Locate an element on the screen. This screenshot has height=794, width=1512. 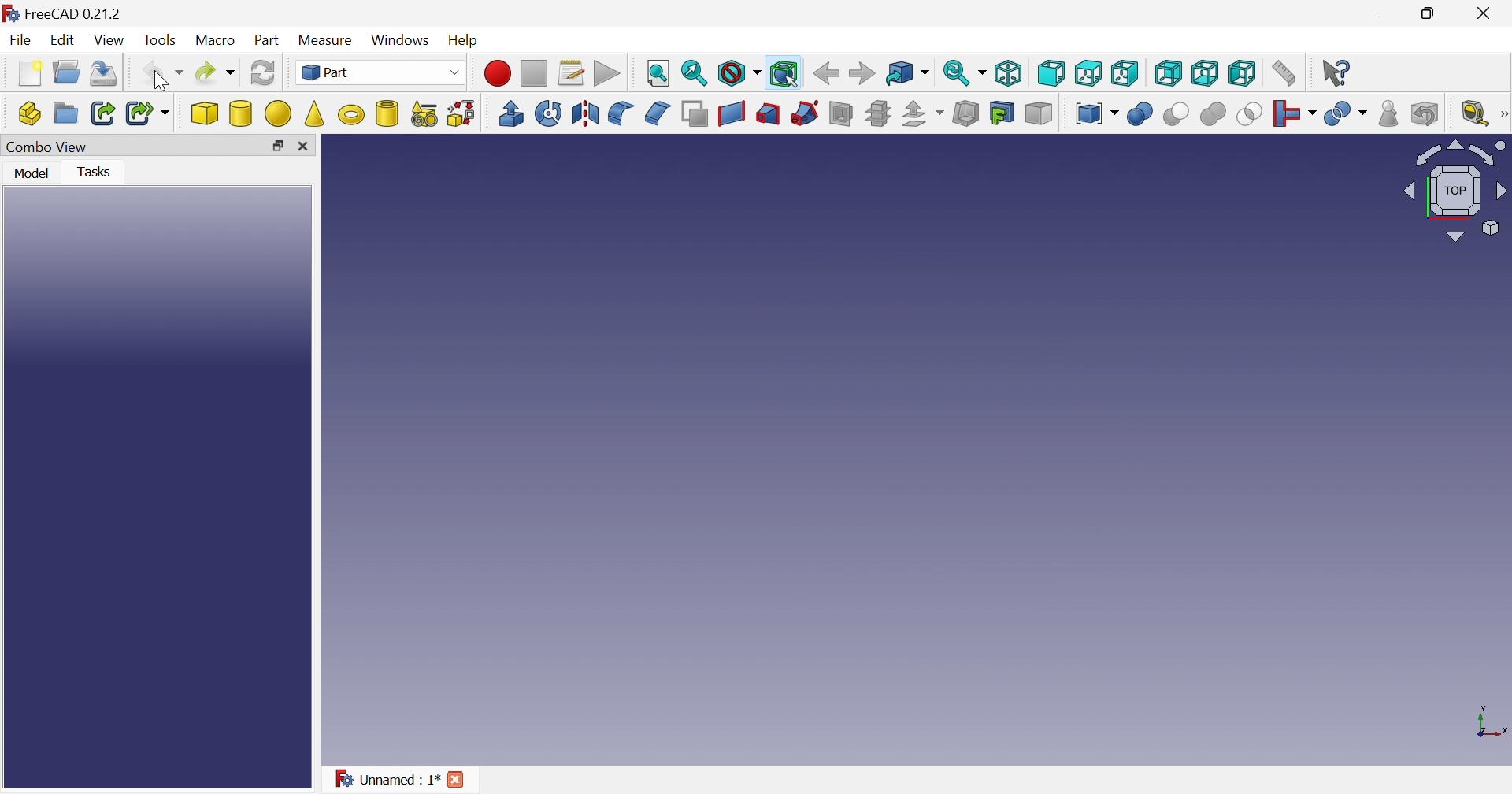
Top is located at coordinates (1088, 72).